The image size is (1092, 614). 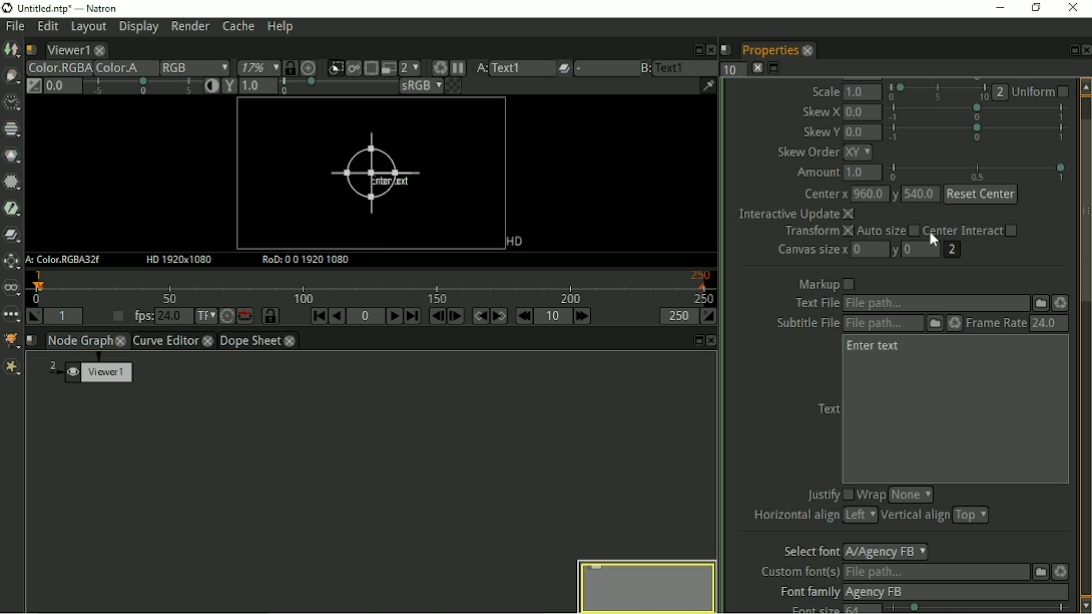 I want to click on Set the playback in point at the current frame, so click(x=33, y=316).